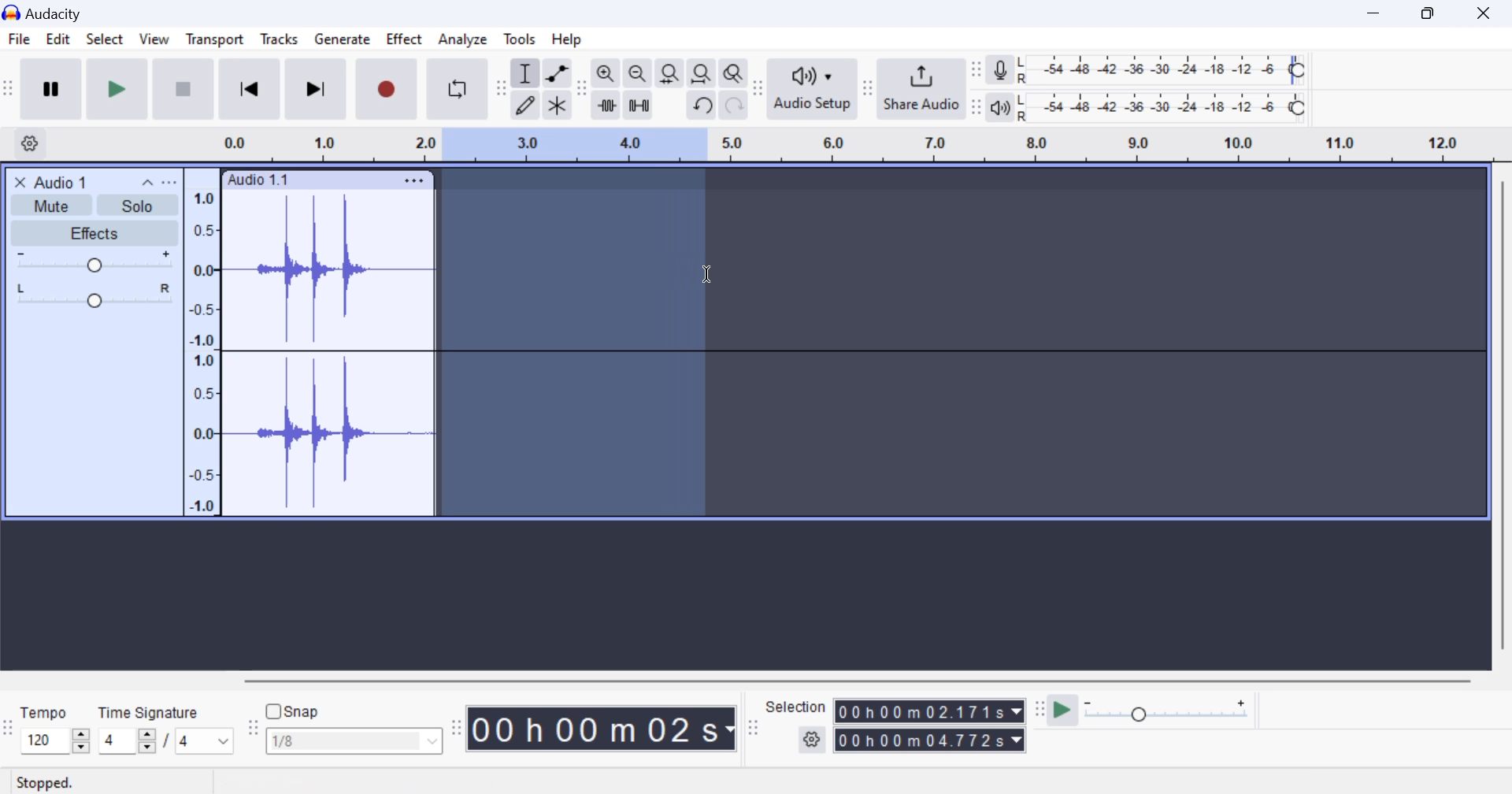 The height and width of the screenshot is (794, 1512). I want to click on fit selection to width, so click(668, 75).